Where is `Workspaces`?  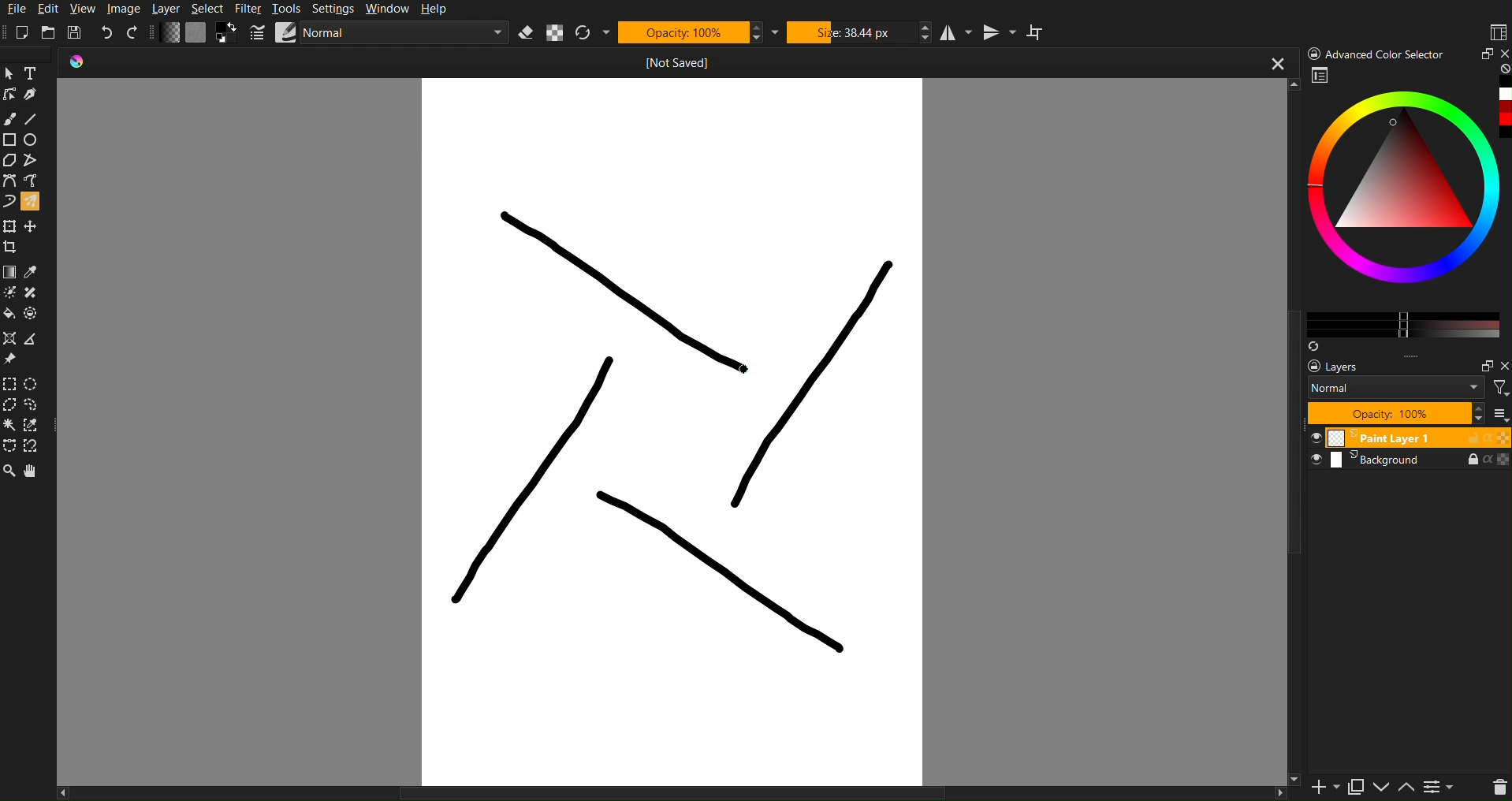 Workspaces is located at coordinates (1497, 31).